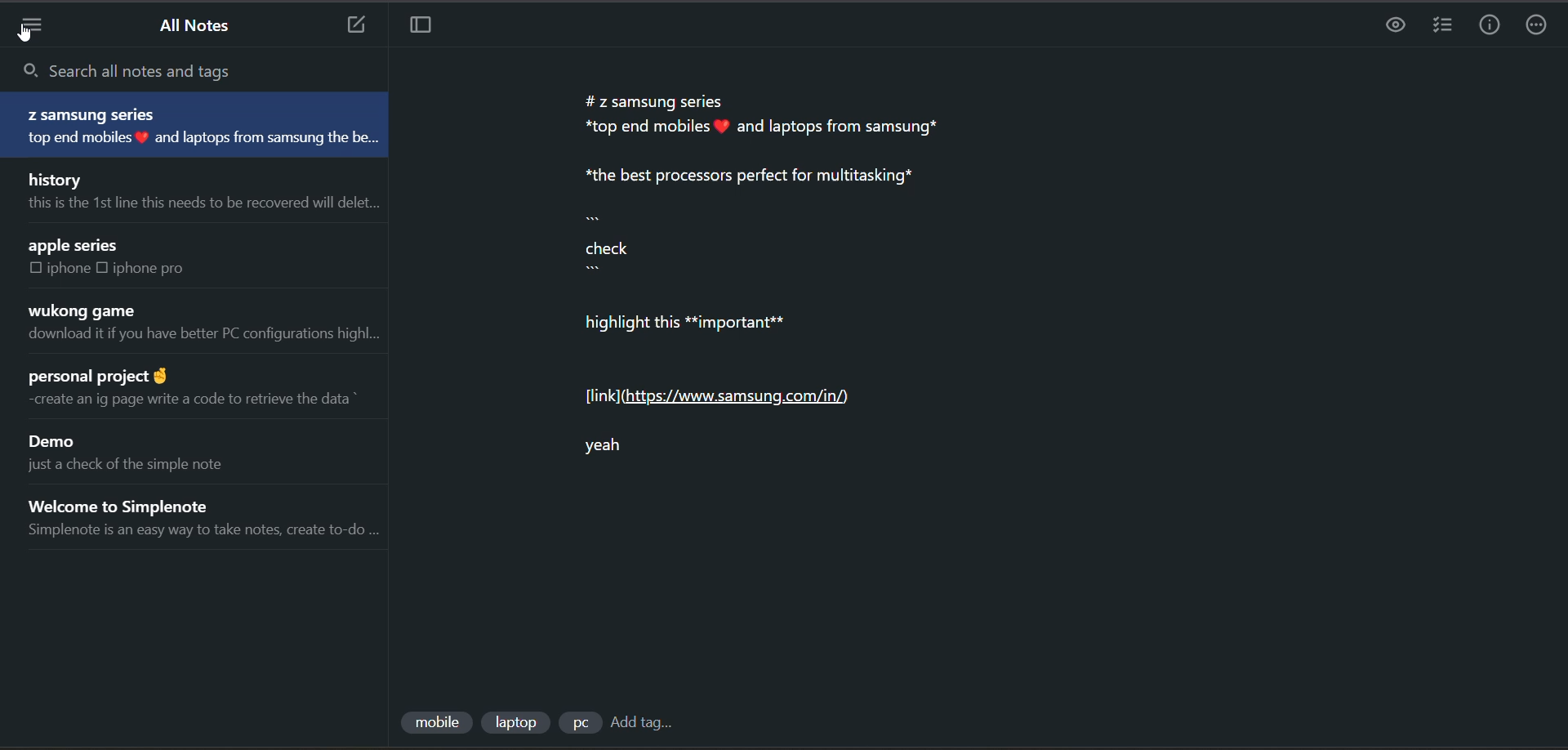 The height and width of the screenshot is (750, 1568). I want to click on note title and preview, so click(131, 453).